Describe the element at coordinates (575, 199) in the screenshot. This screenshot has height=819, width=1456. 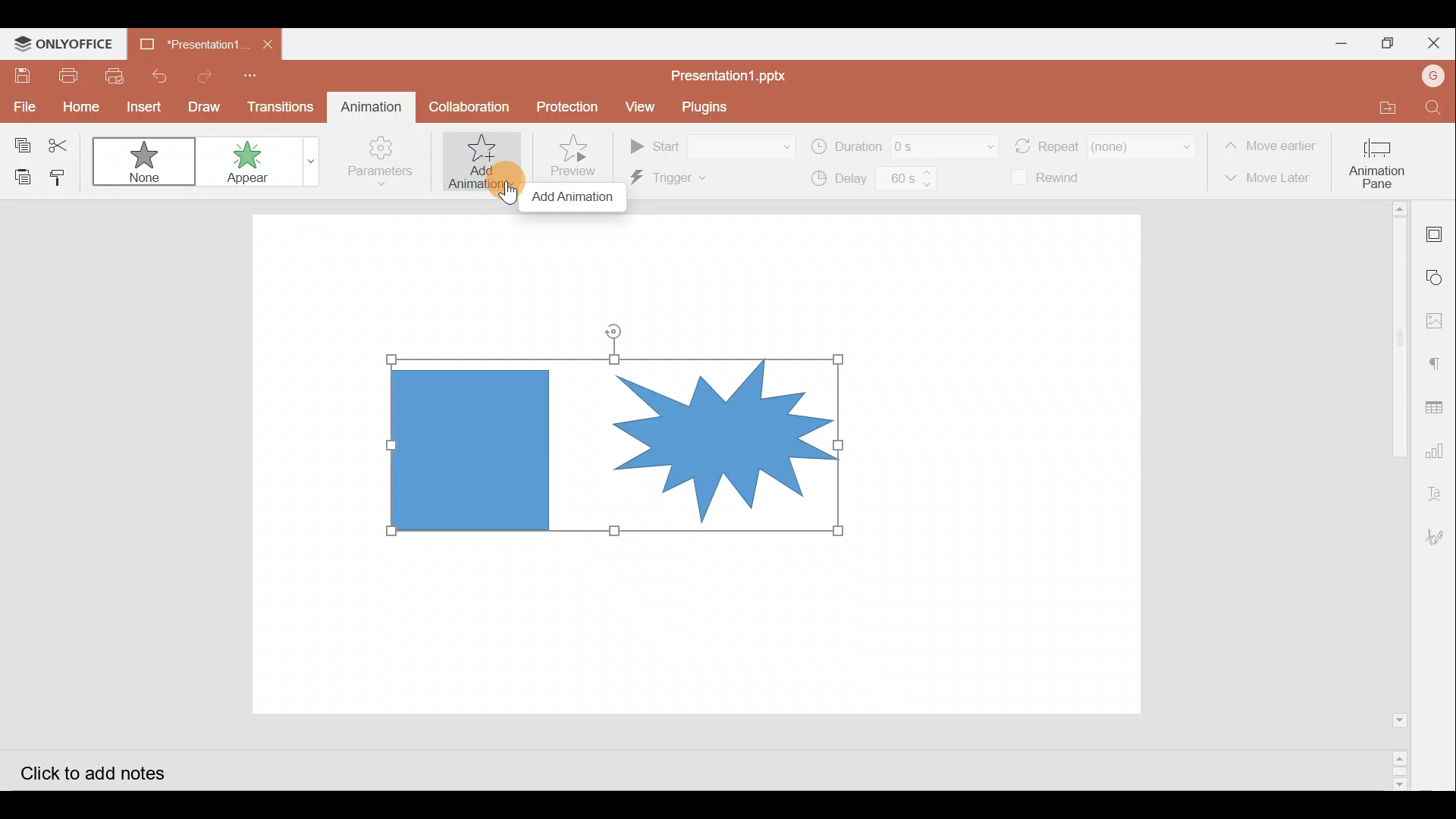
I see `Add animation` at that location.